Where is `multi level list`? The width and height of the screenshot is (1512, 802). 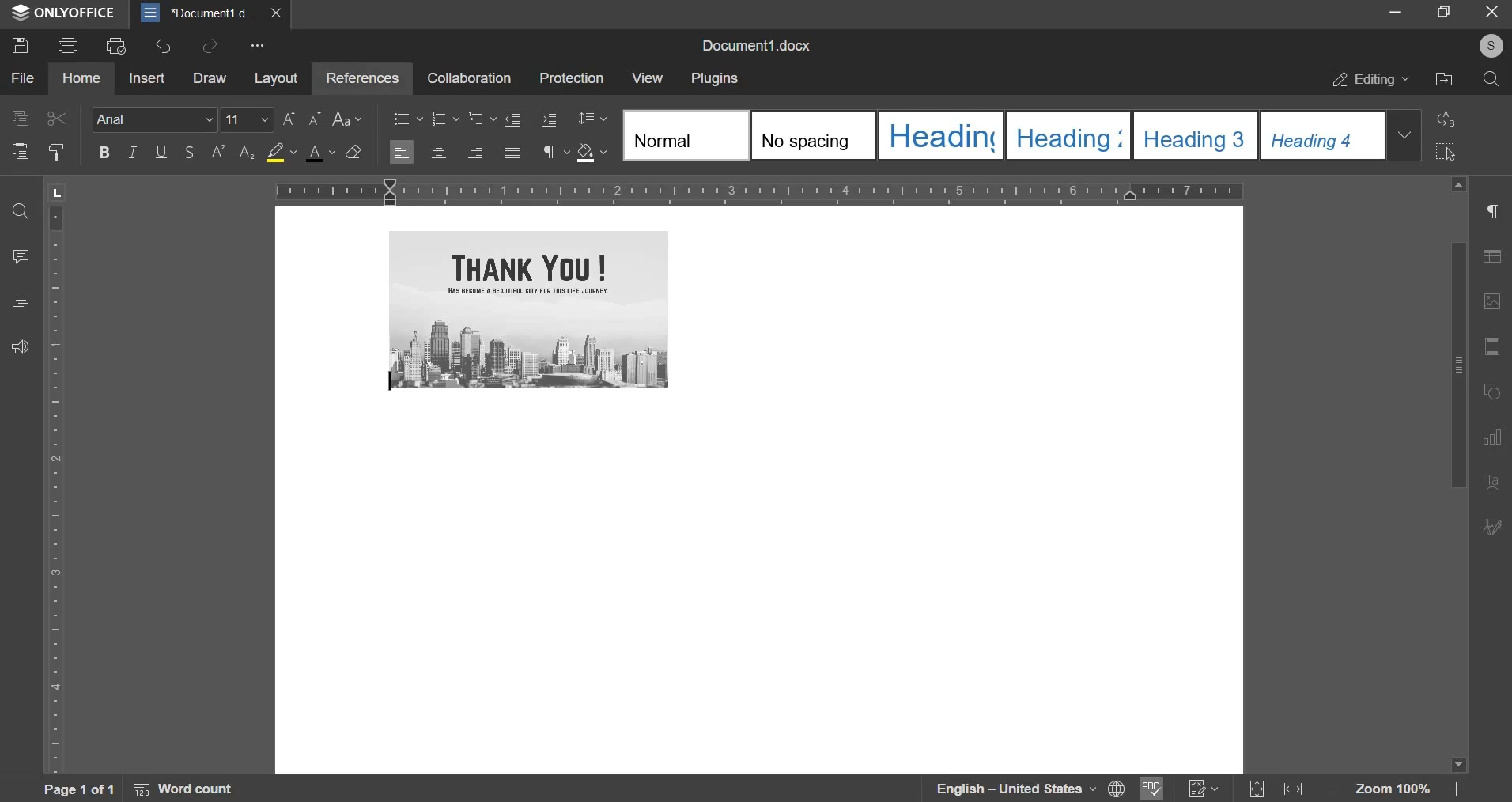
multi level list is located at coordinates (481, 119).